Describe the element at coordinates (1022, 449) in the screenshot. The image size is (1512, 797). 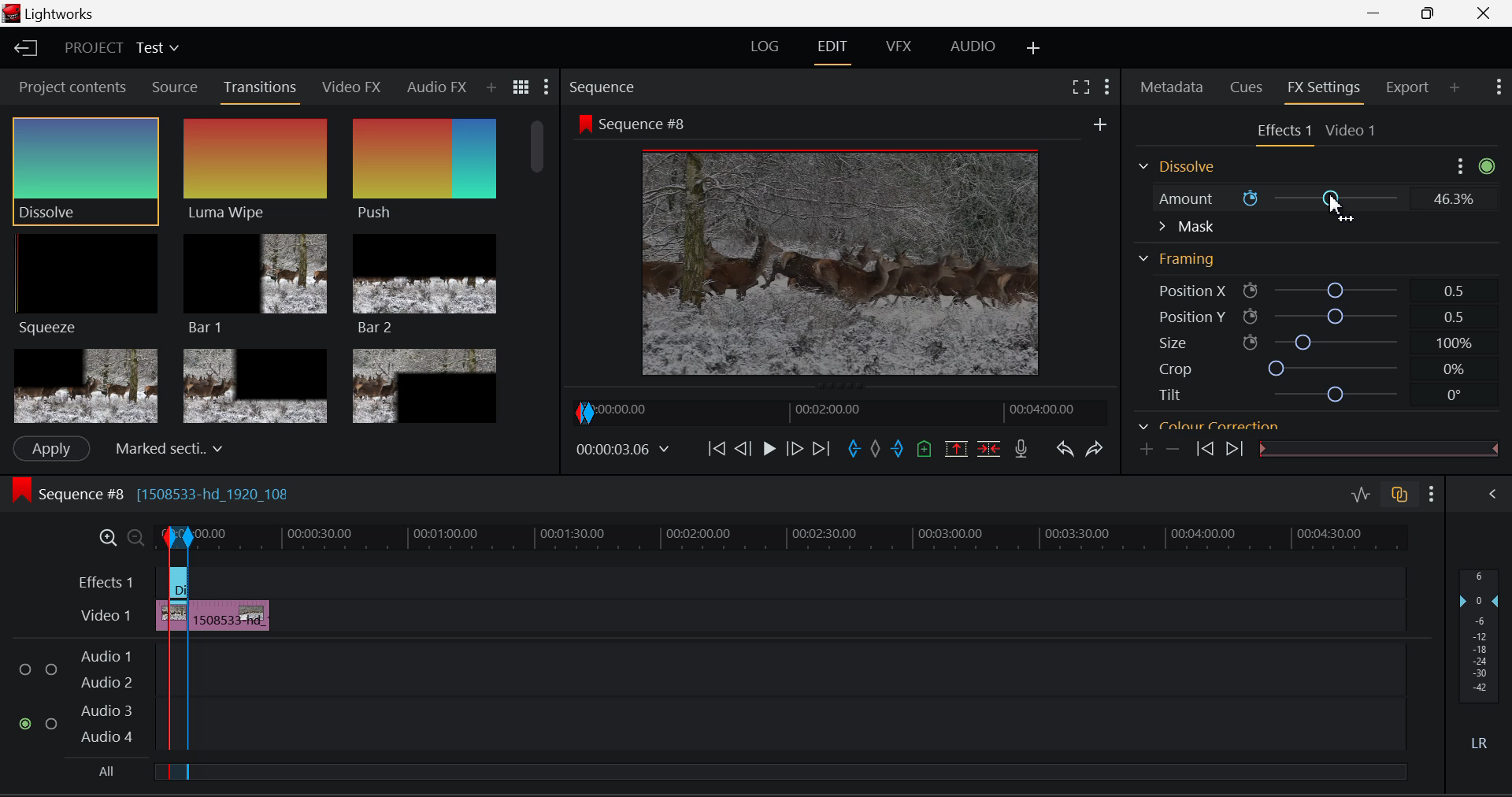
I see `Record Voiceover` at that location.